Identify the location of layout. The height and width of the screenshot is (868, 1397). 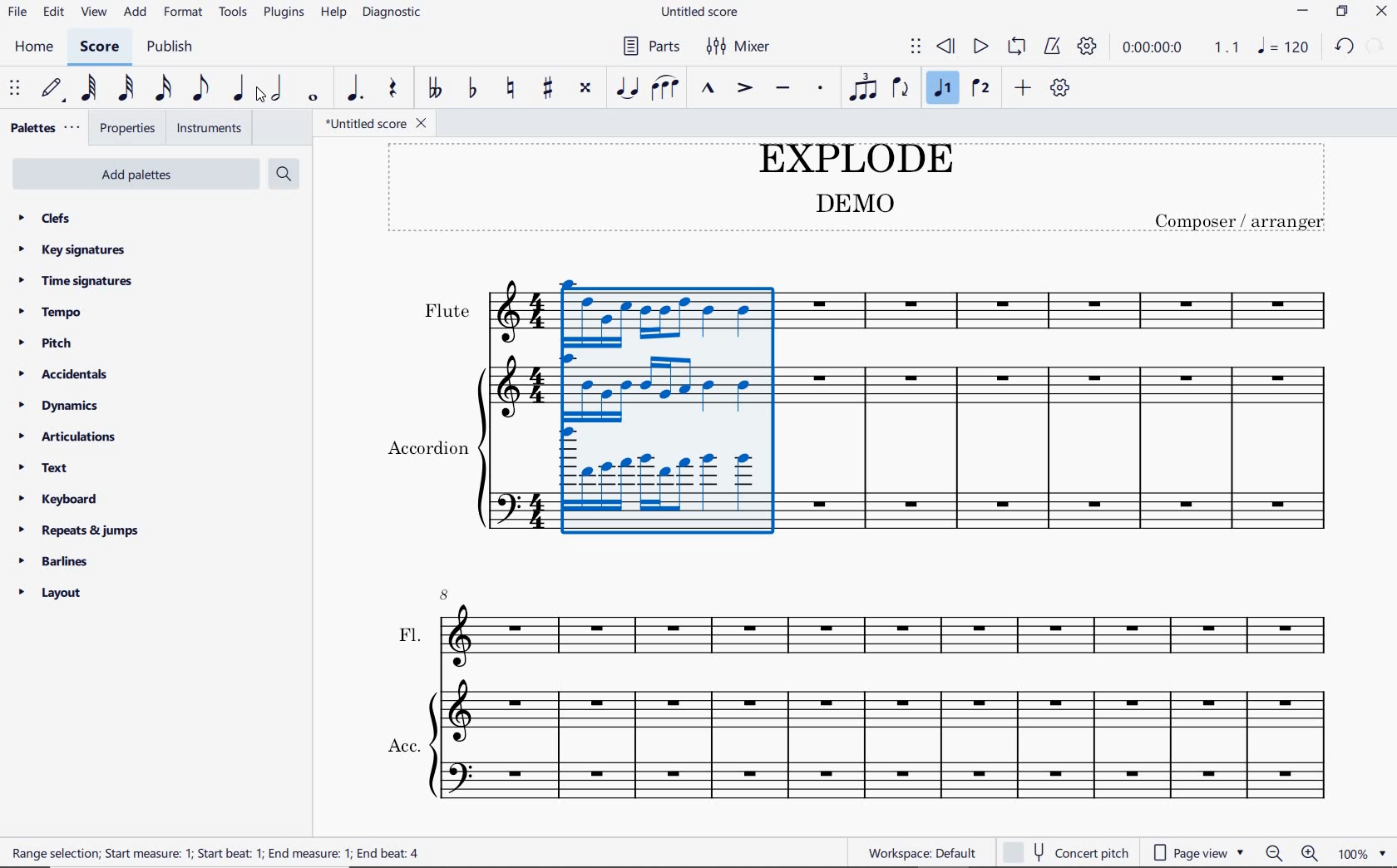
(50, 594).